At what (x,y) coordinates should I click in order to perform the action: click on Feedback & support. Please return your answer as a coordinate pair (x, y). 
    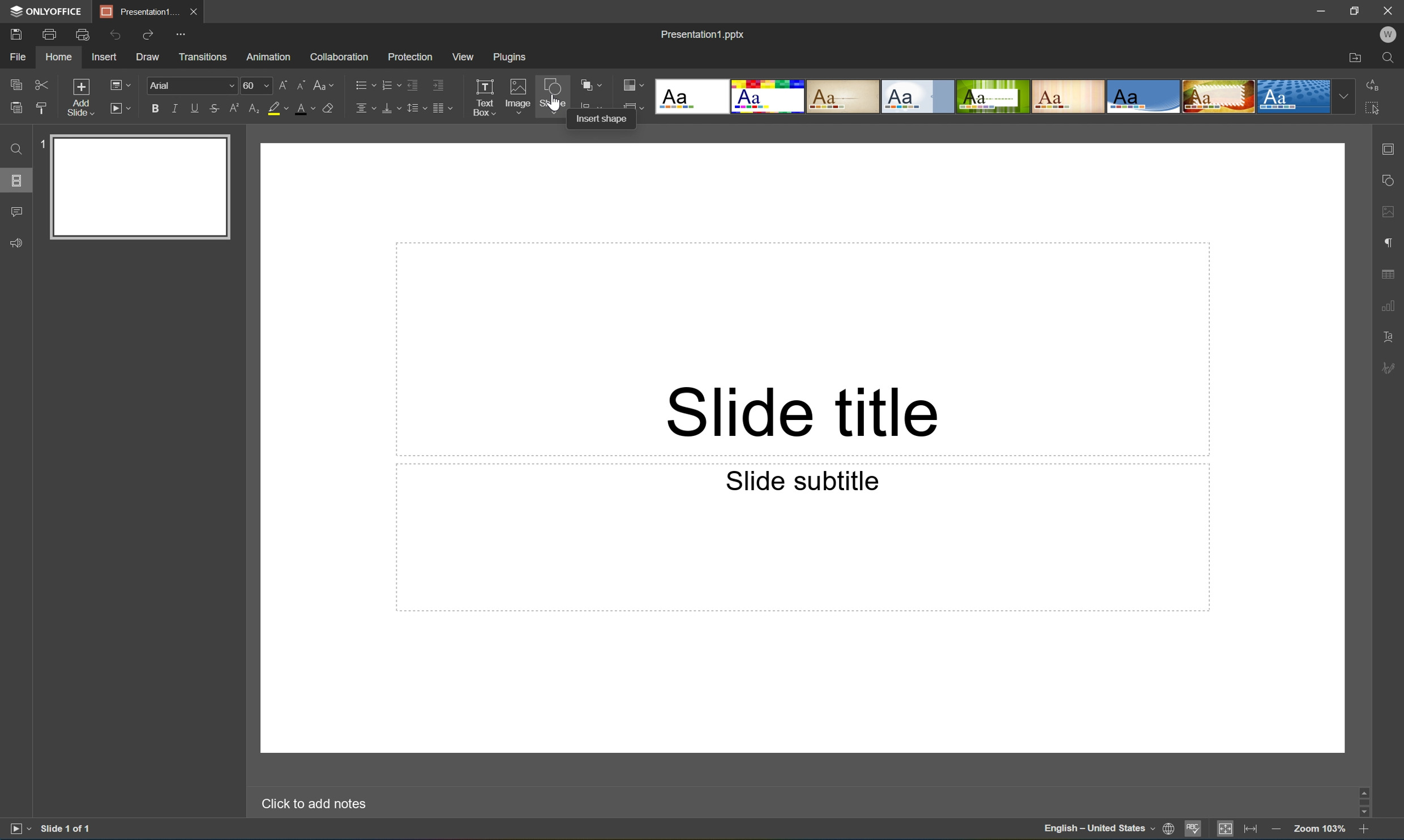
    Looking at the image, I should click on (19, 243).